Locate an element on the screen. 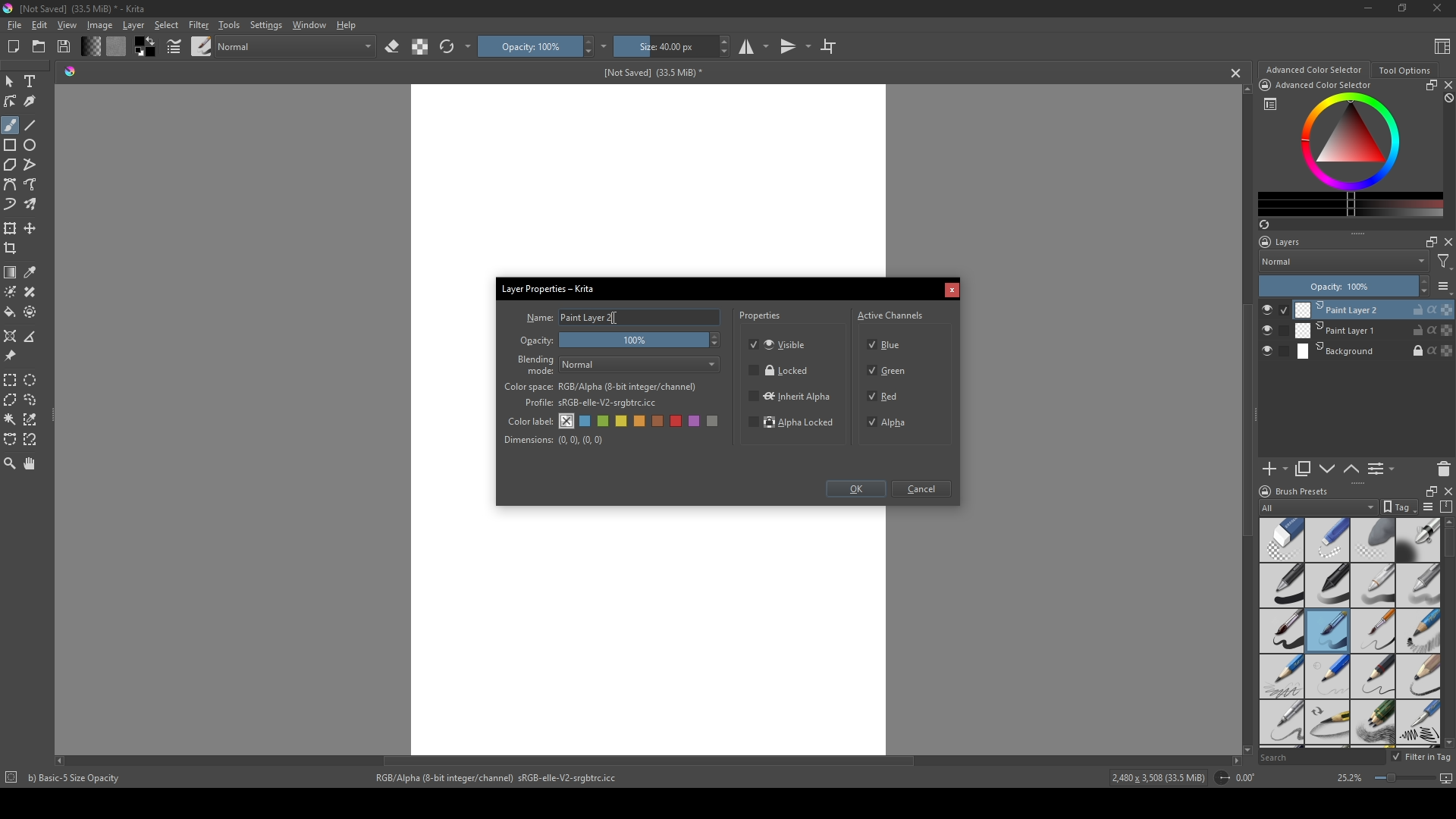 This screenshot has width=1456, height=819. close is located at coordinates (1447, 85).